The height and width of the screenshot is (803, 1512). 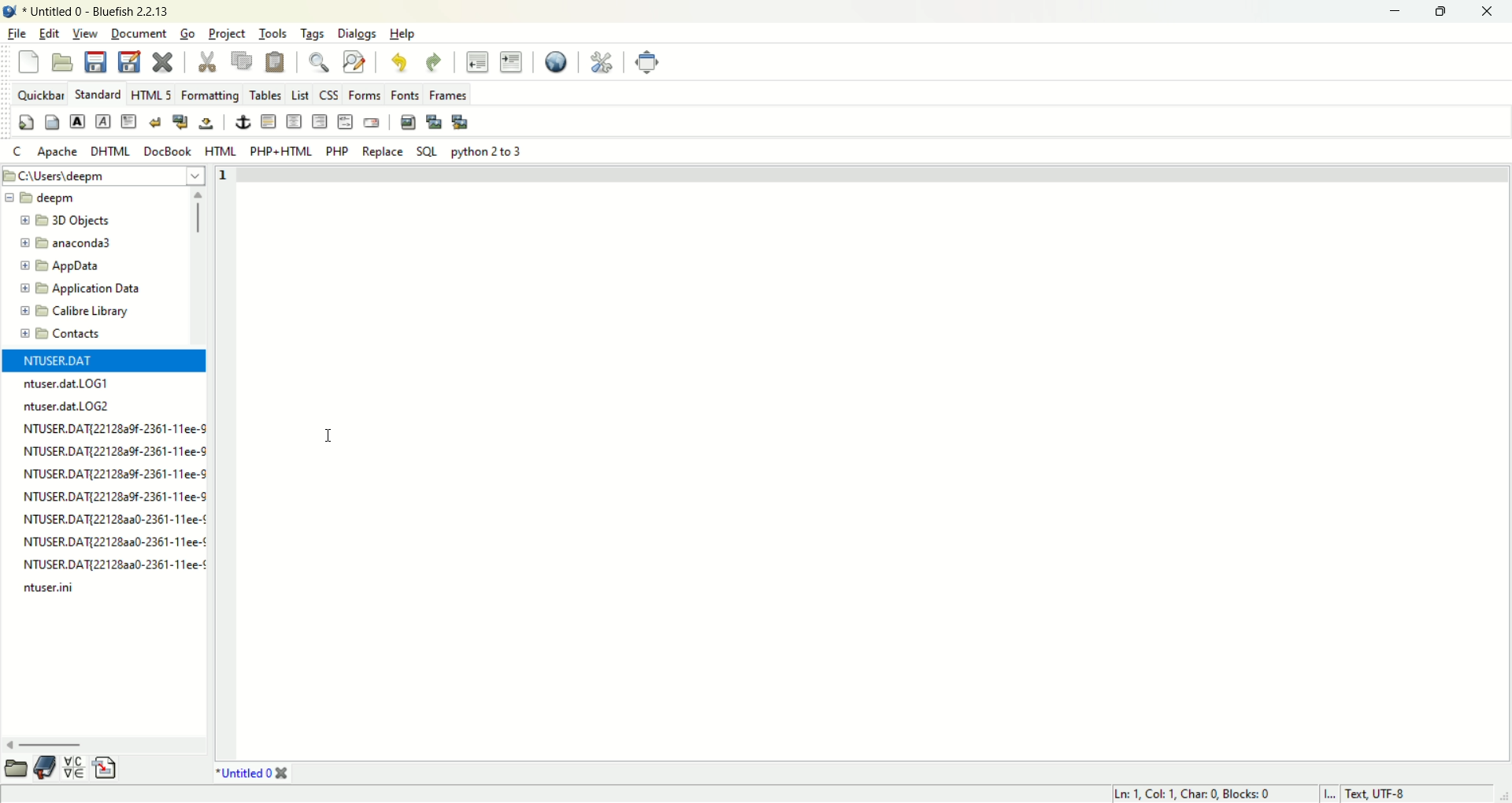 I want to click on redo, so click(x=433, y=61).